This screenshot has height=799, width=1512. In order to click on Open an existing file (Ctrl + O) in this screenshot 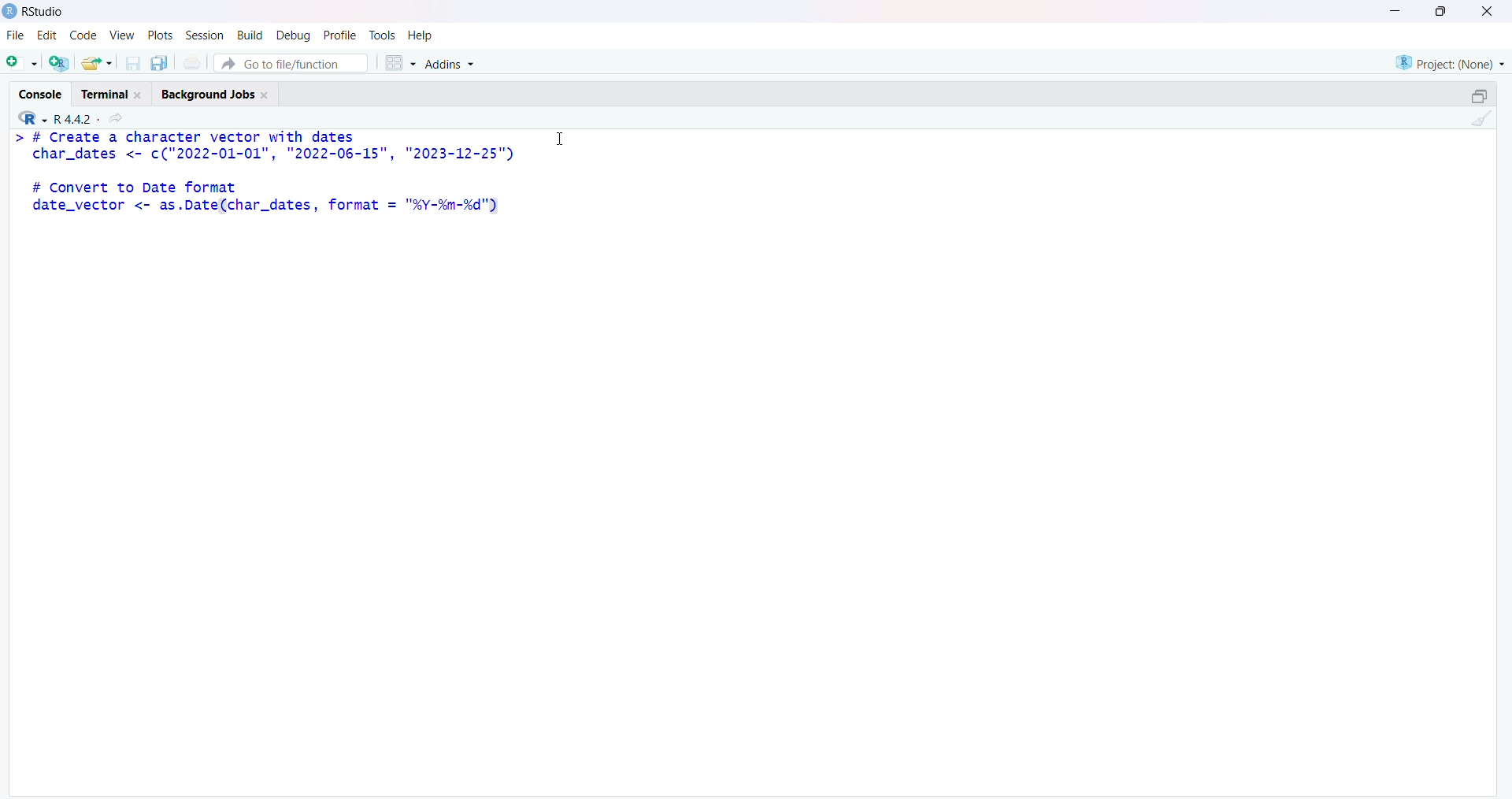, I will do `click(102, 63)`.